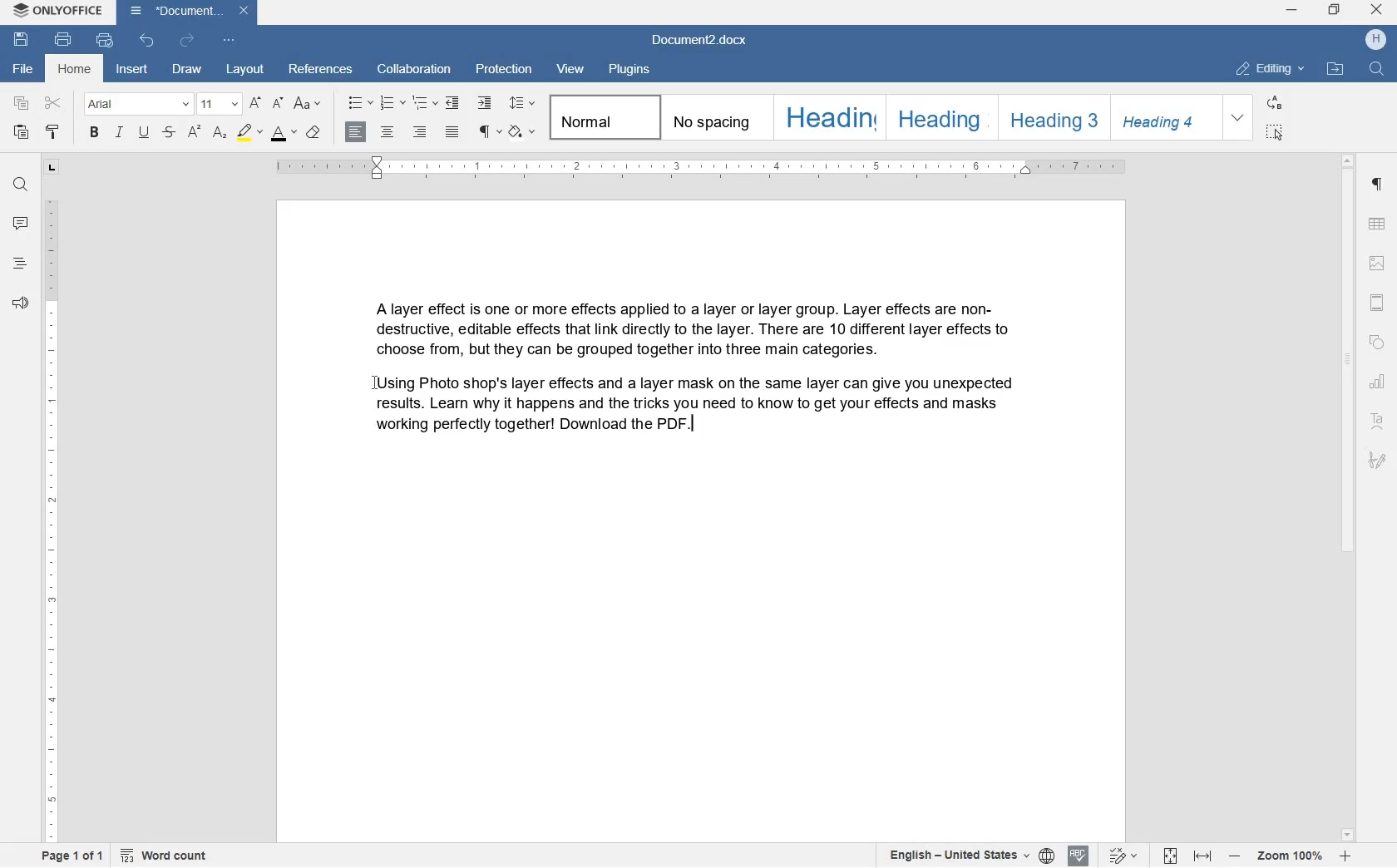 The height and width of the screenshot is (868, 1397). I want to click on UNDERLINE, so click(146, 133).